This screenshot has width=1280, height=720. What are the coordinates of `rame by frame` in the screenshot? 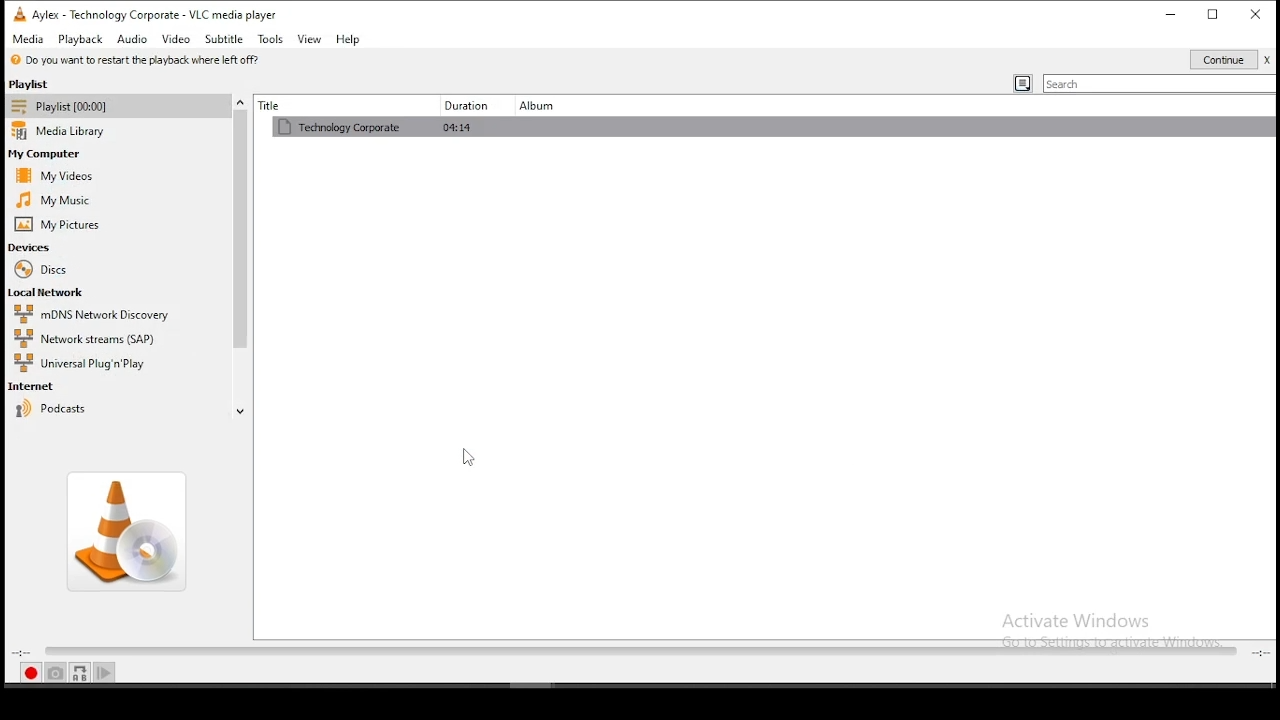 It's located at (109, 674).